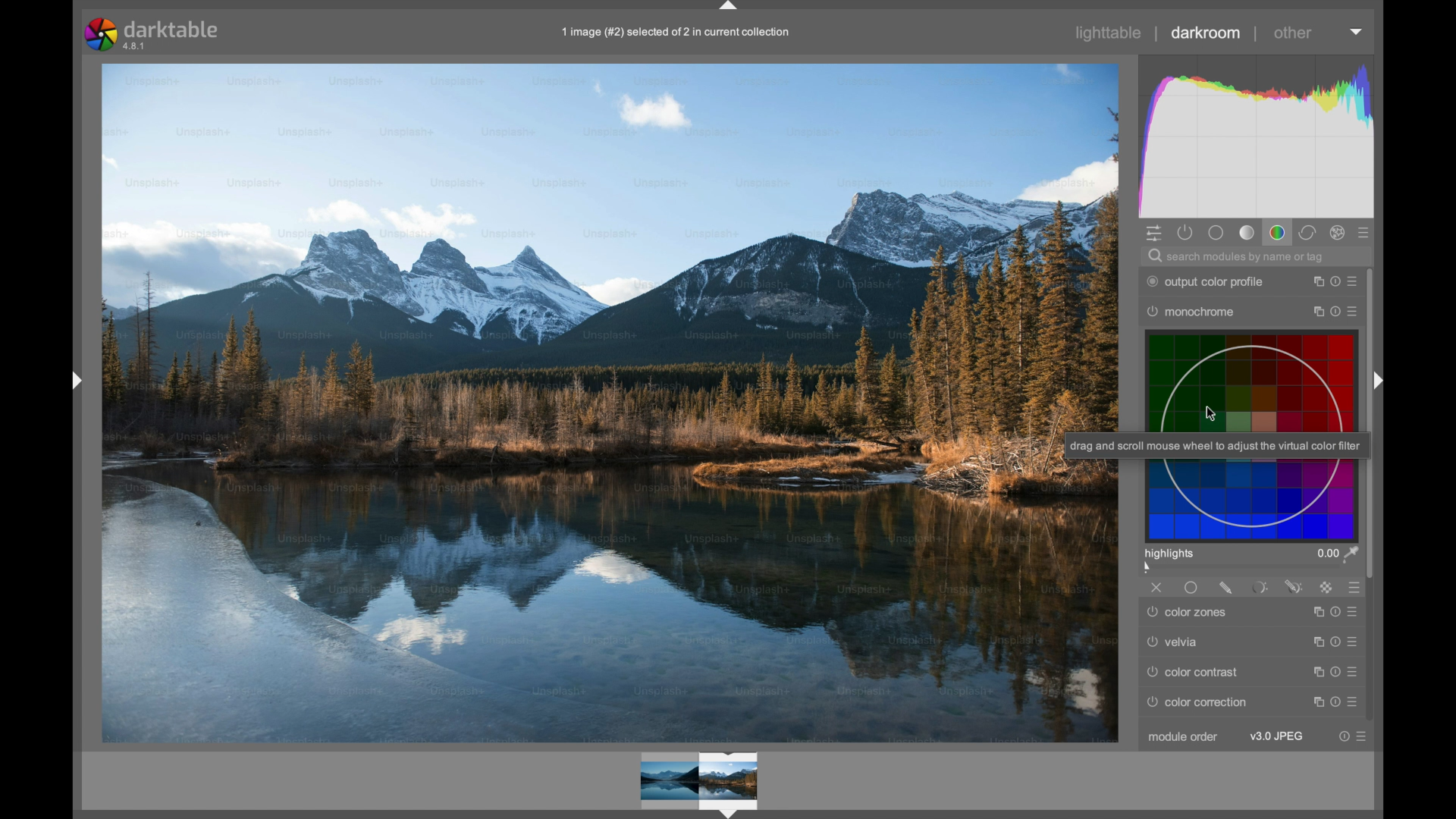  I want to click on presets, so click(1356, 703).